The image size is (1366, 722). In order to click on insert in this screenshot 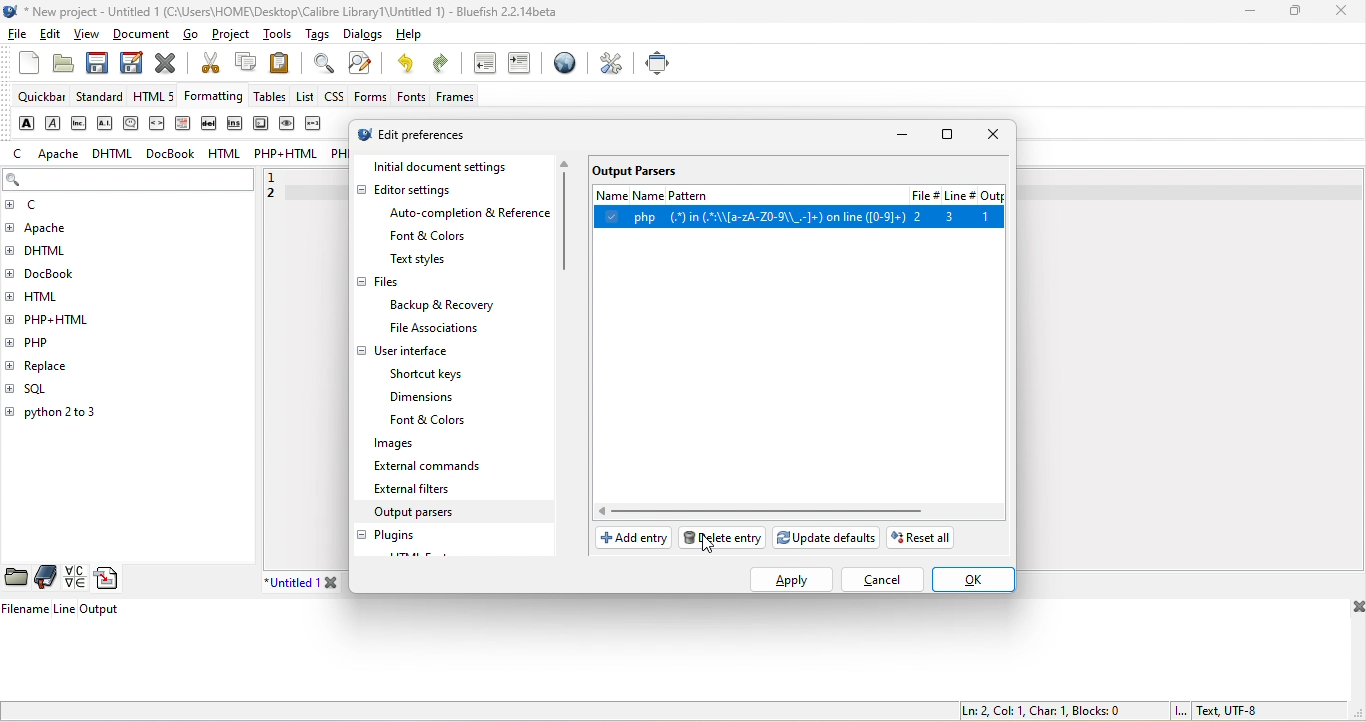, I will do `click(233, 125)`.